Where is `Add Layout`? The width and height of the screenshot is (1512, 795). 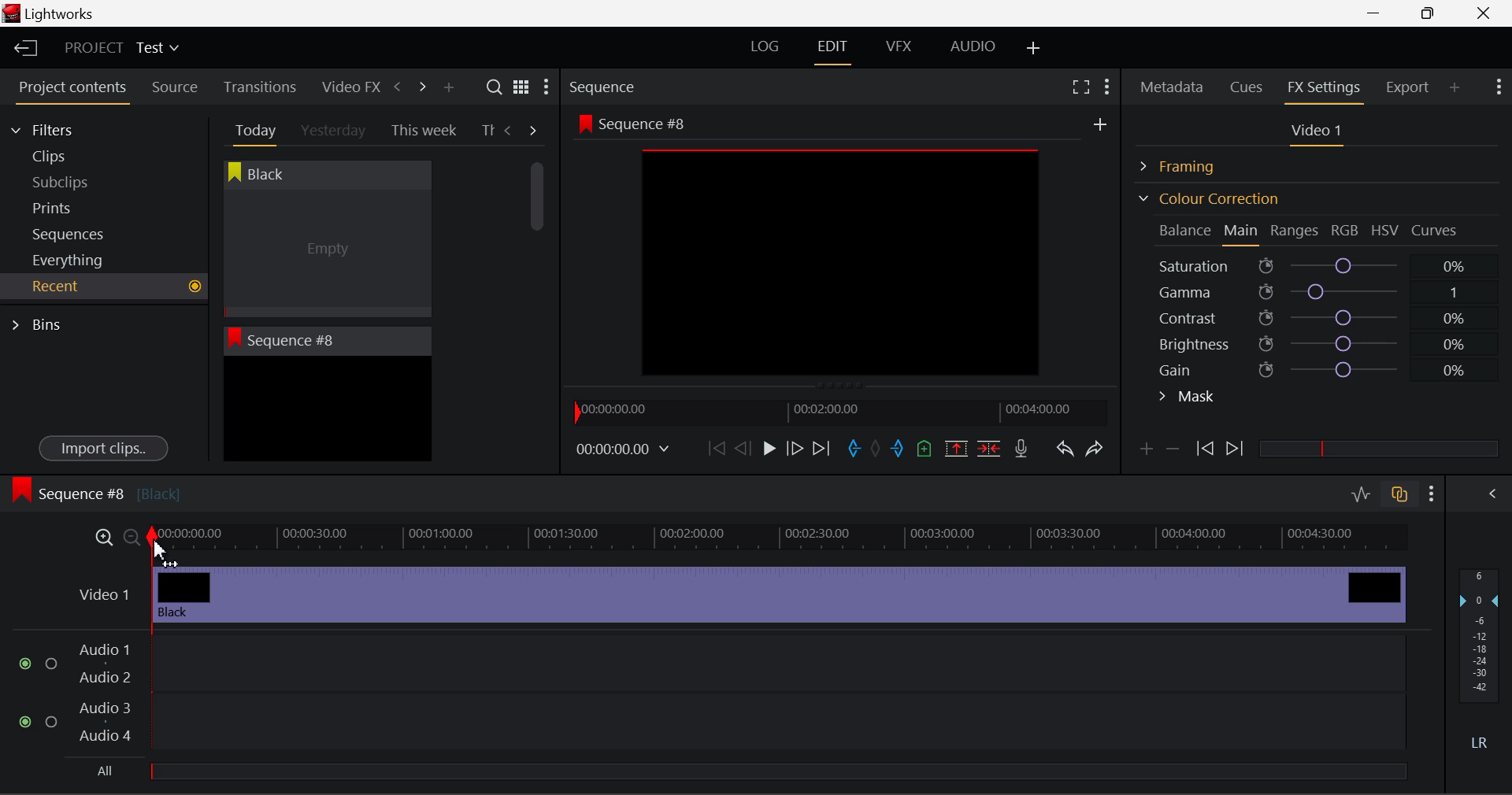 Add Layout is located at coordinates (1034, 49).